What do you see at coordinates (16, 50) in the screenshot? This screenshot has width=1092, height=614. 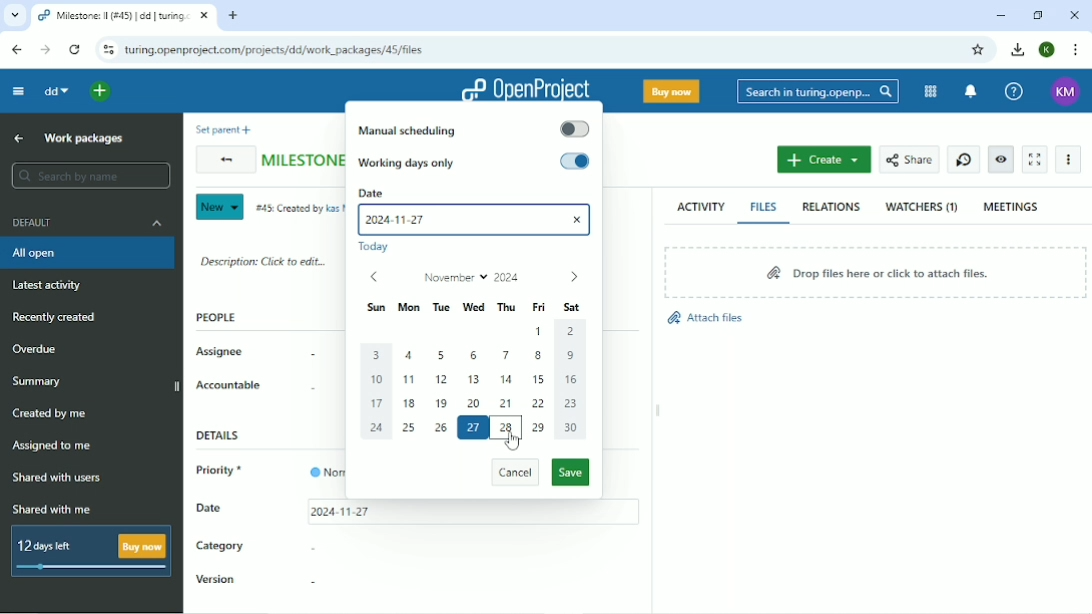 I see `Back` at bounding box center [16, 50].